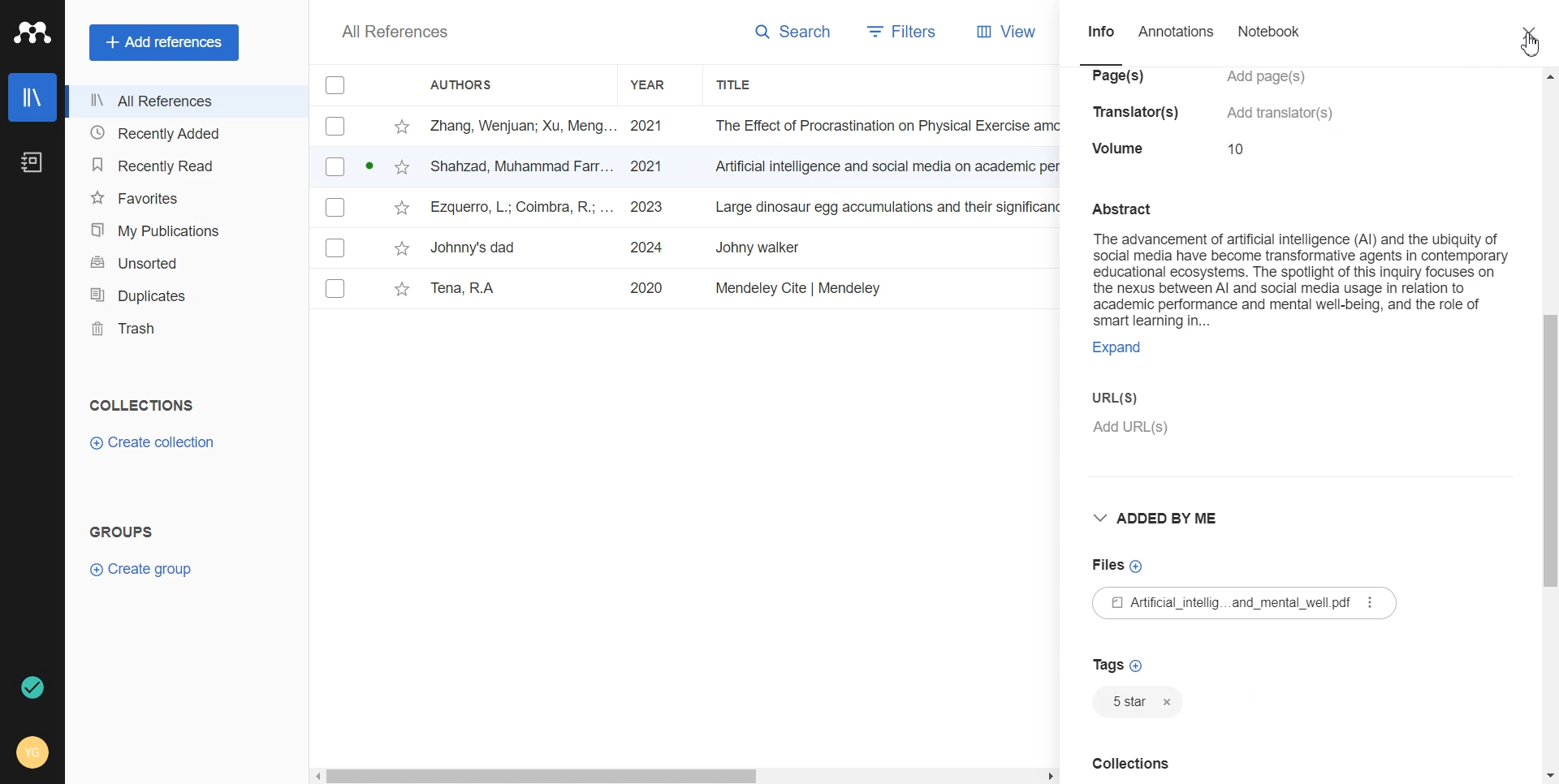 Image resolution: width=1559 pixels, height=784 pixels. What do you see at coordinates (164, 41) in the screenshot?
I see `Add references` at bounding box center [164, 41].